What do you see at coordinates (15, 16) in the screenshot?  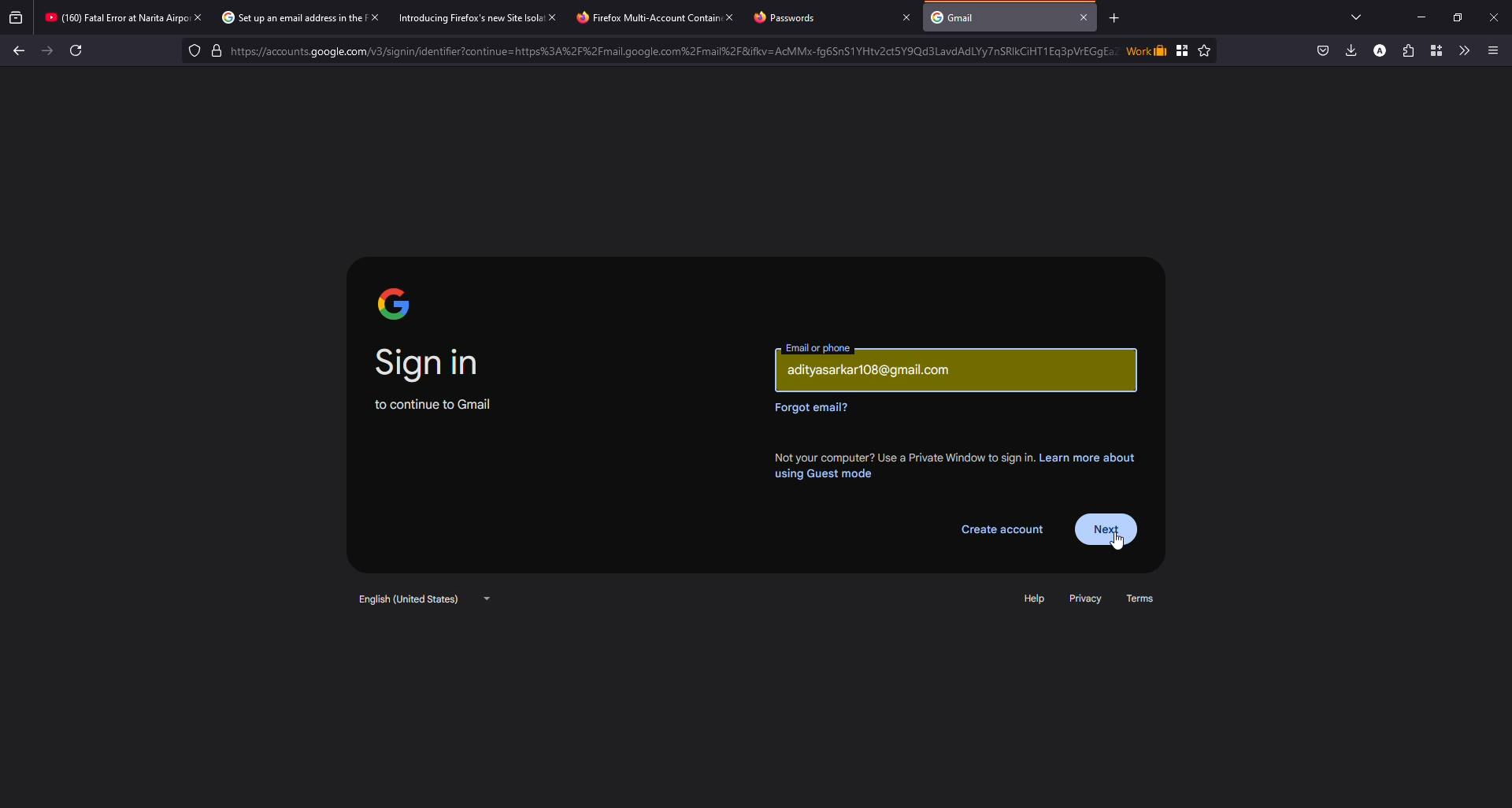 I see `View recent` at bounding box center [15, 16].